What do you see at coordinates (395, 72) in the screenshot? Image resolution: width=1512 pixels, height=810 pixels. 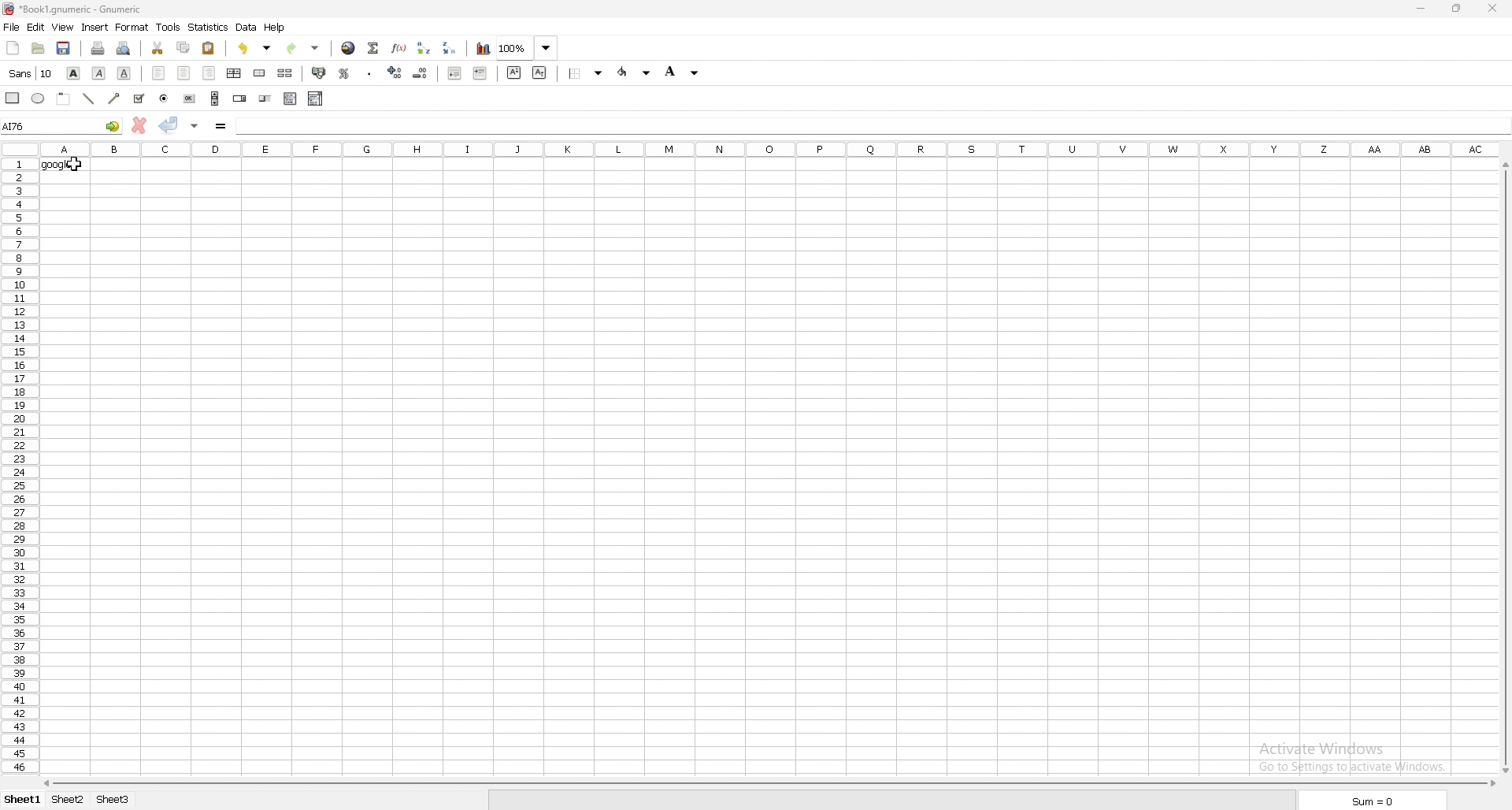 I see `increase decimals` at bounding box center [395, 72].